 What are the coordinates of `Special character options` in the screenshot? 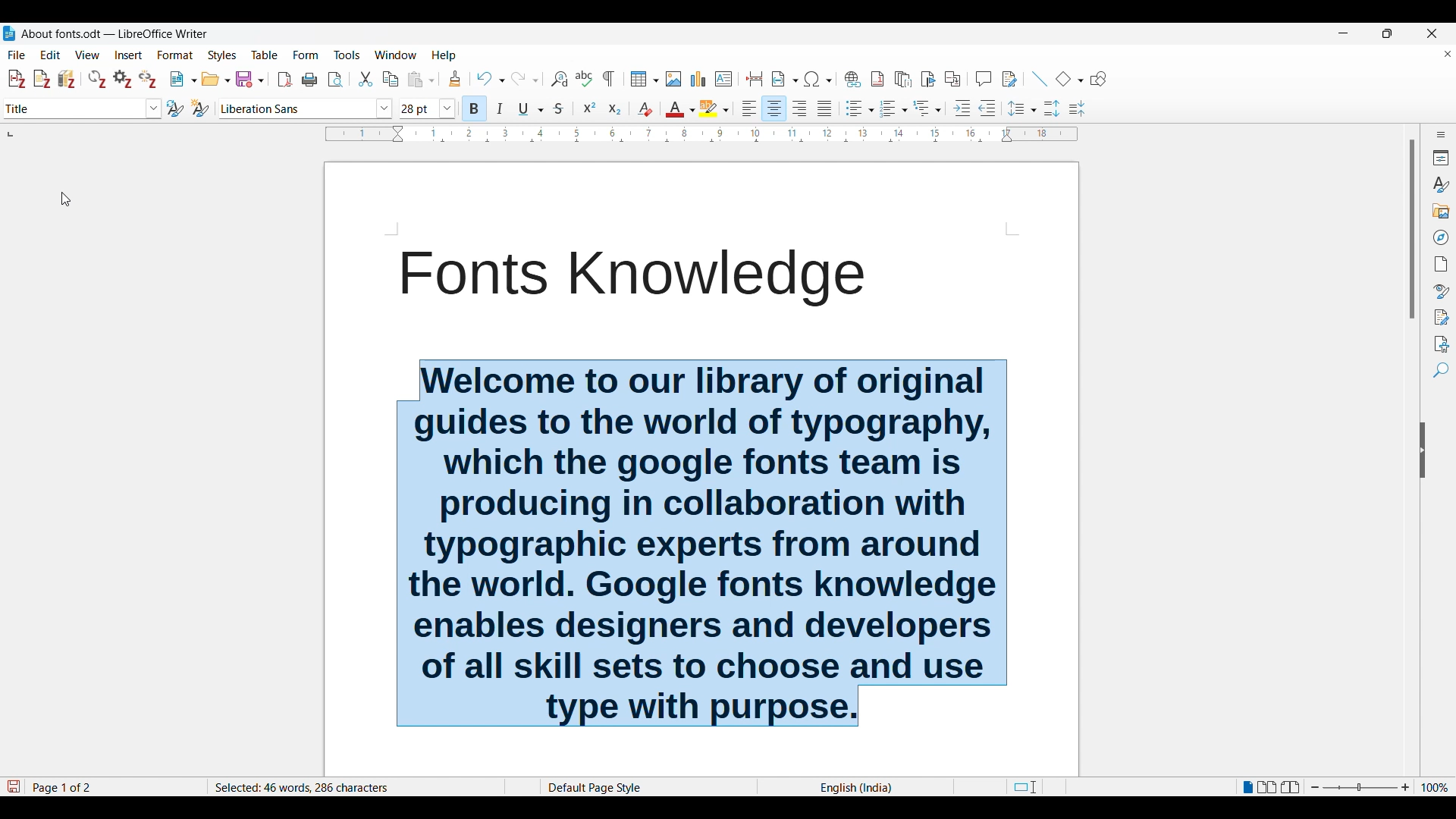 It's located at (818, 79).